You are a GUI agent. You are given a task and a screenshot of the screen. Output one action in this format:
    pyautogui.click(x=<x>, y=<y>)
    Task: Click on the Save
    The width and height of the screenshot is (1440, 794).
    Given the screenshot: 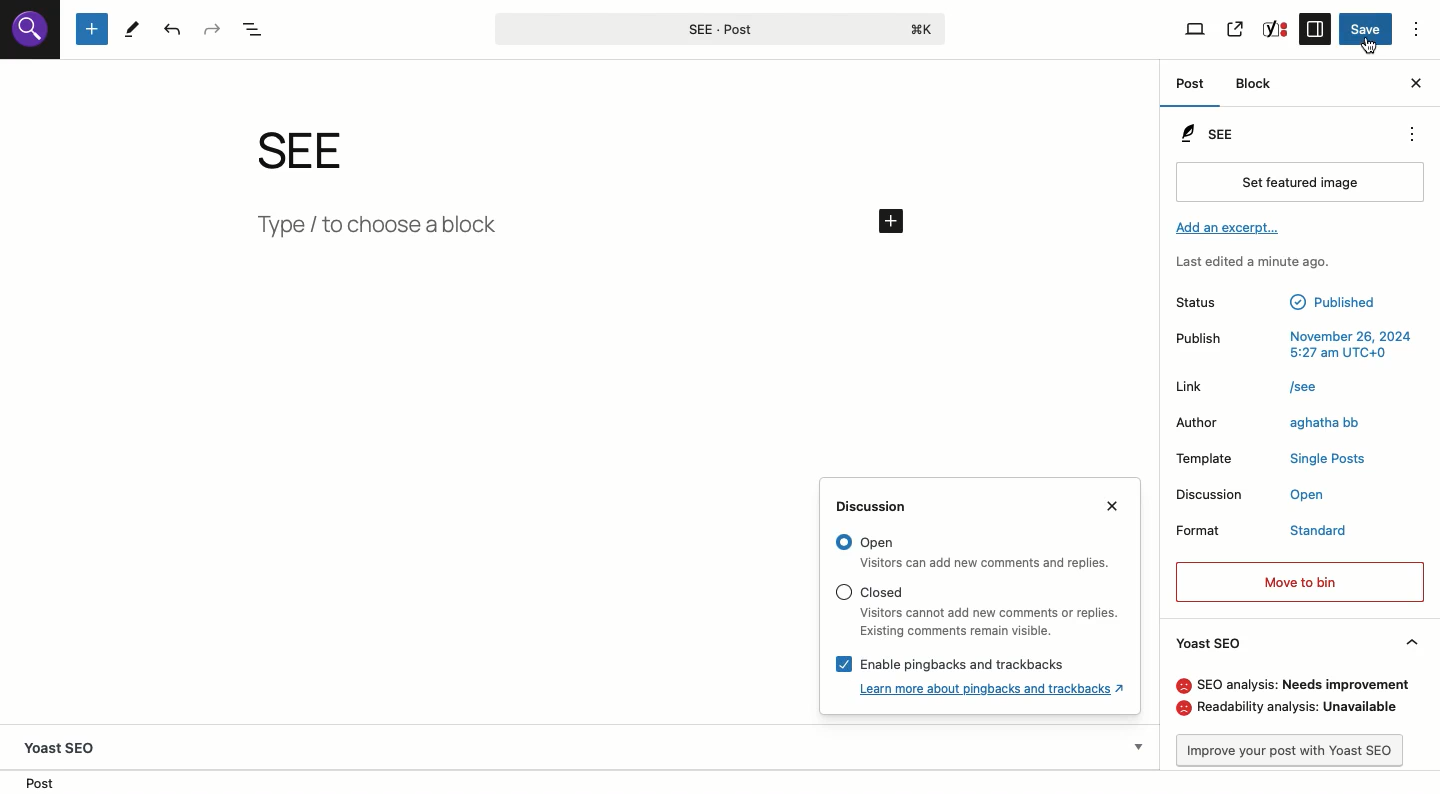 What is the action you would take?
    pyautogui.click(x=1367, y=30)
    